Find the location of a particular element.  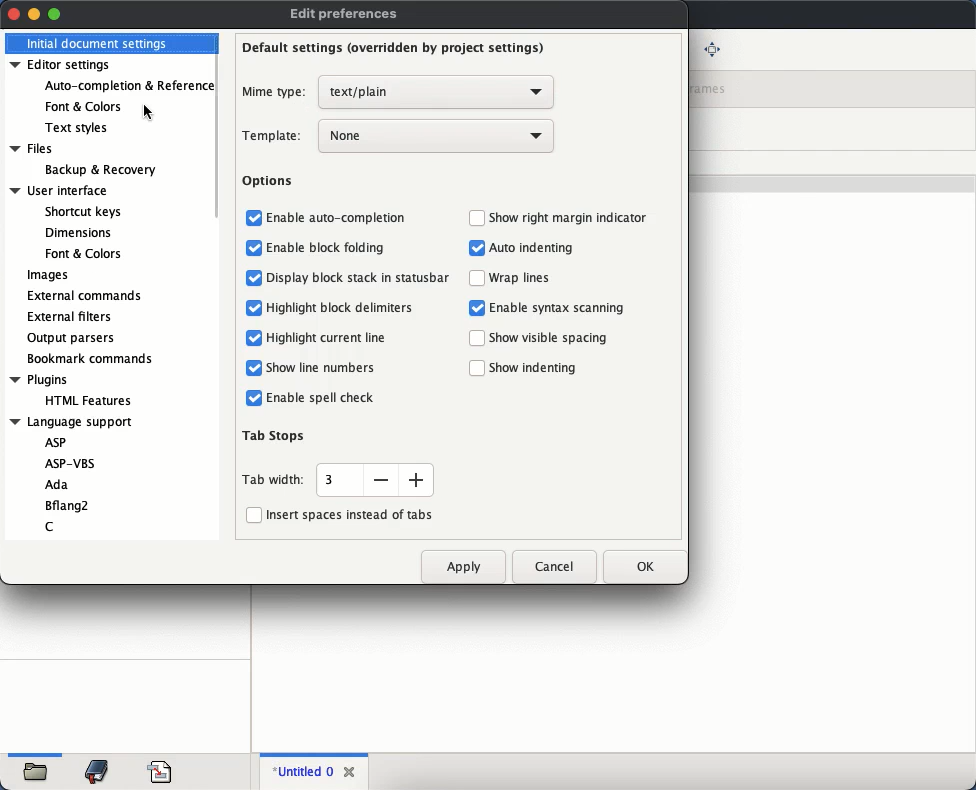

default settings is located at coordinates (396, 49).